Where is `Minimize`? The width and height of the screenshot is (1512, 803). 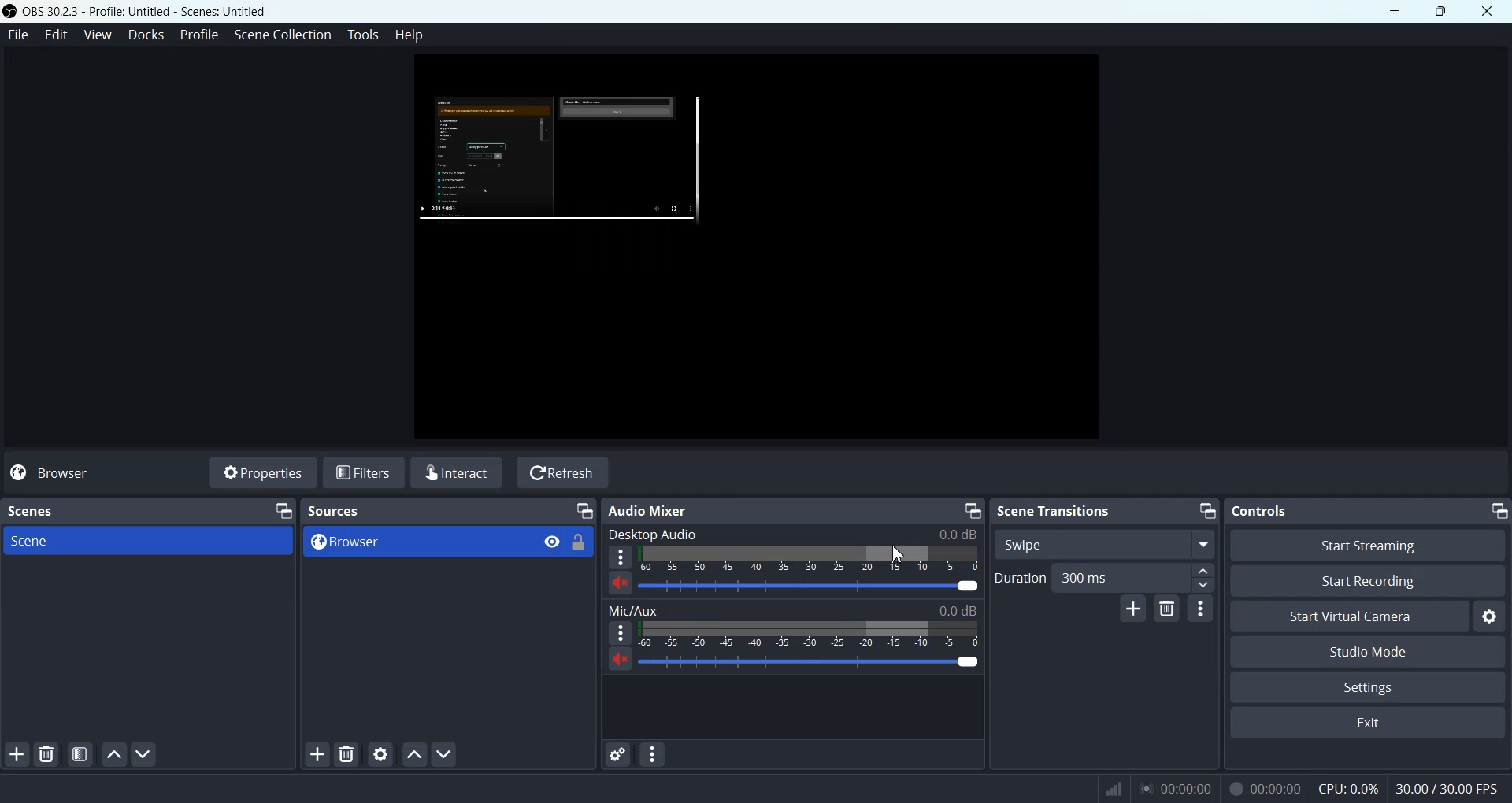 Minimize is located at coordinates (1499, 511).